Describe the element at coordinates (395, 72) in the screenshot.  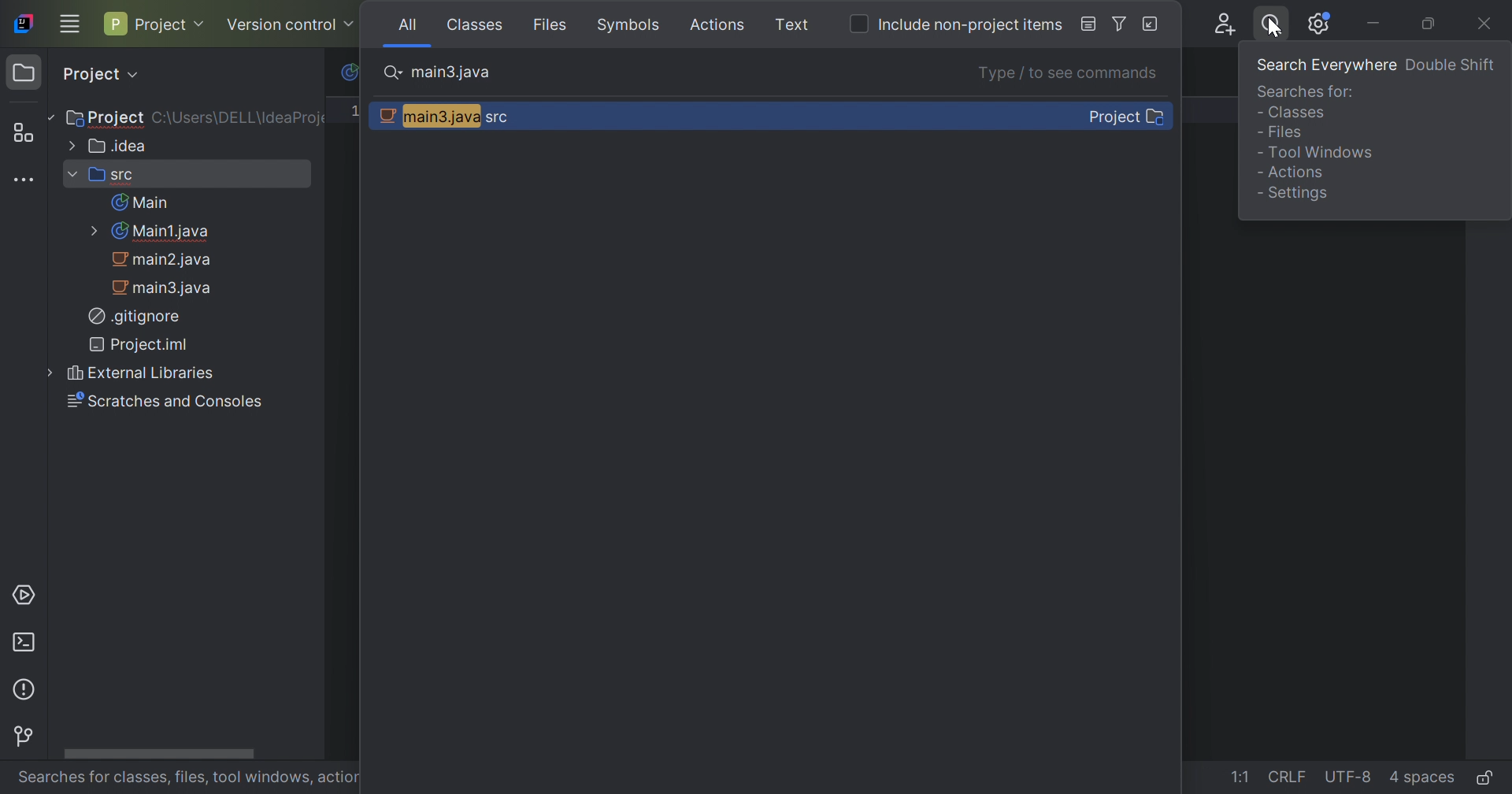
I see `Search icon` at that location.